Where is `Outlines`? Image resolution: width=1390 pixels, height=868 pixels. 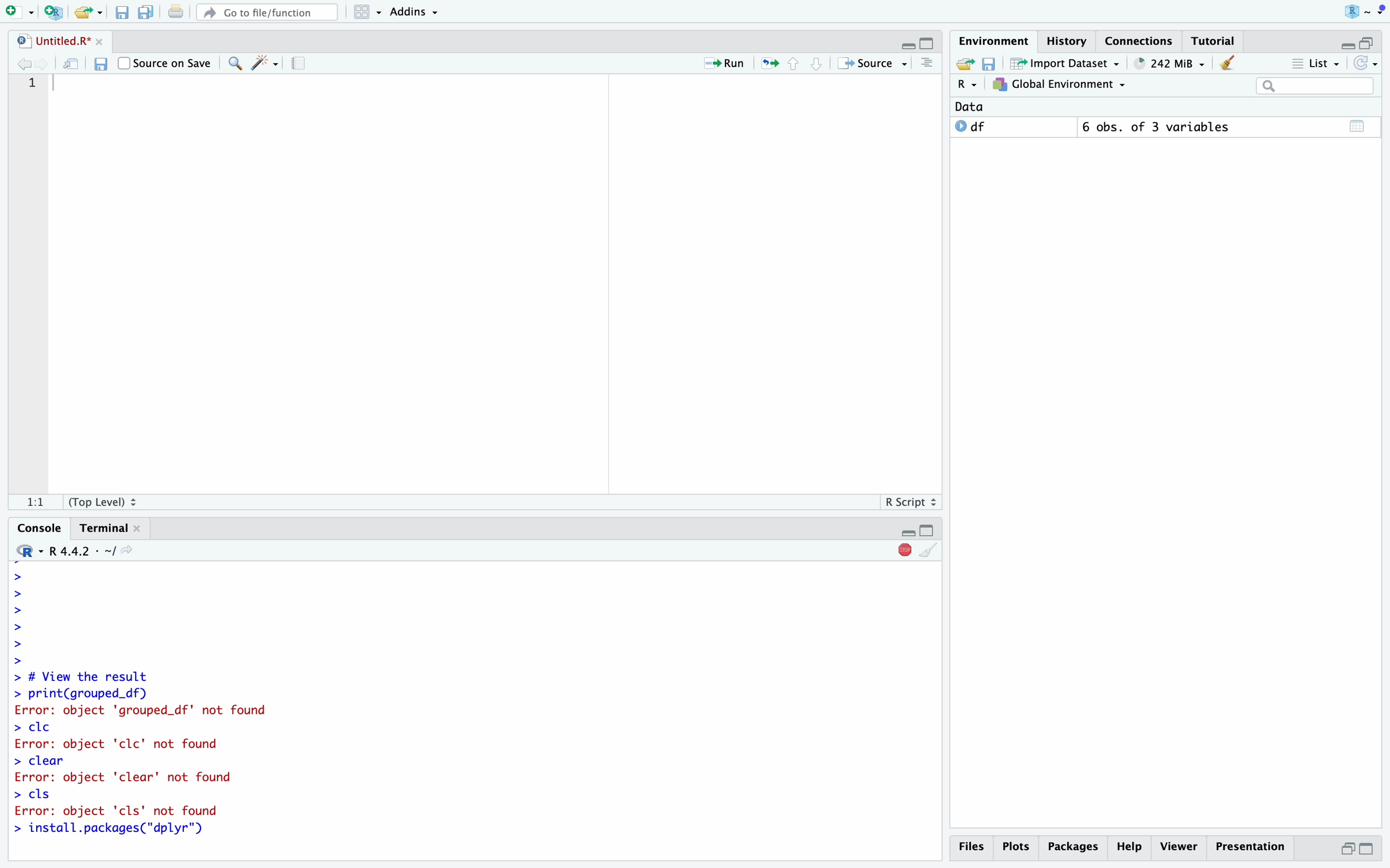 Outlines is located at coordinates (929, 63).